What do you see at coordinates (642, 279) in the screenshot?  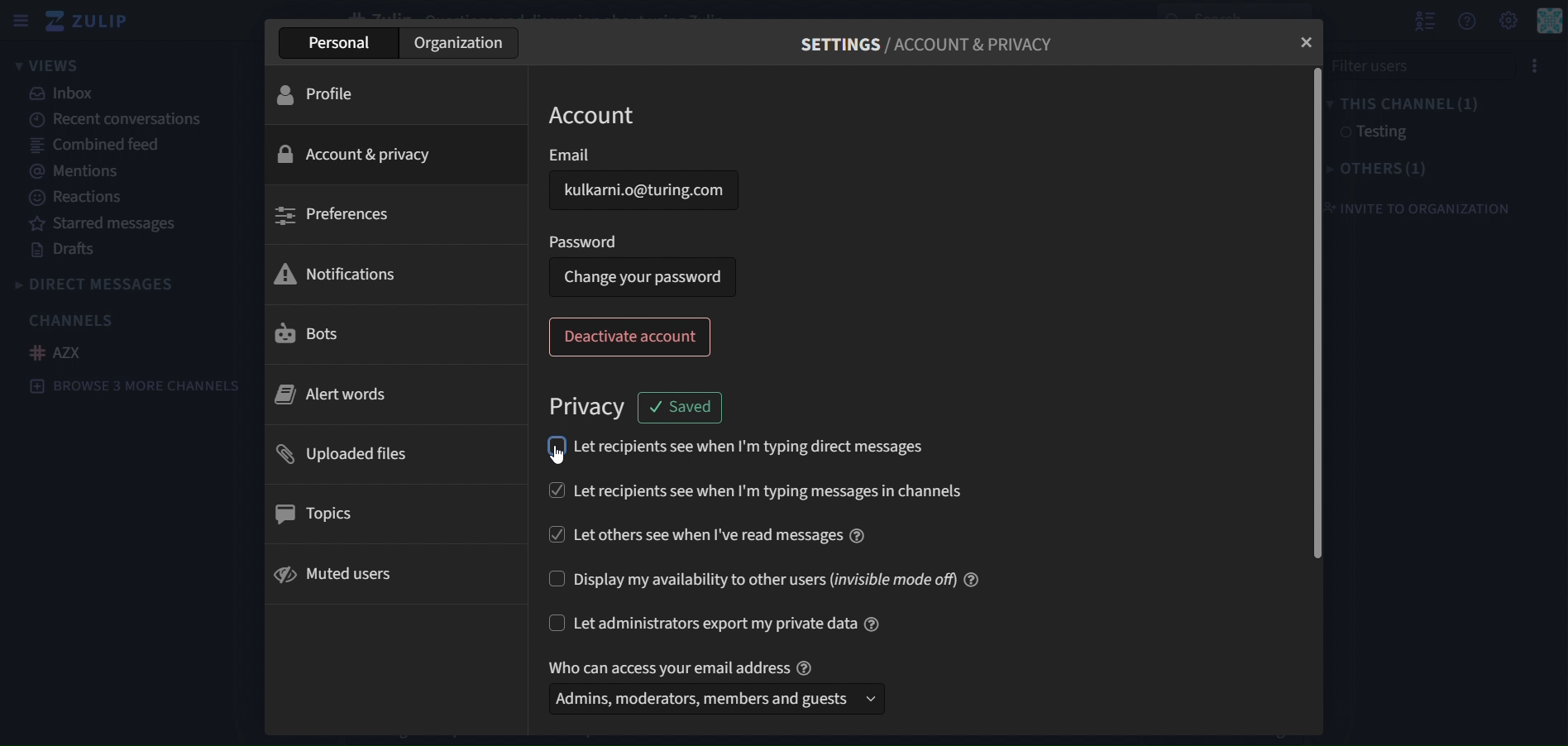 I see `Change your password` at bounding box center [642, 279].